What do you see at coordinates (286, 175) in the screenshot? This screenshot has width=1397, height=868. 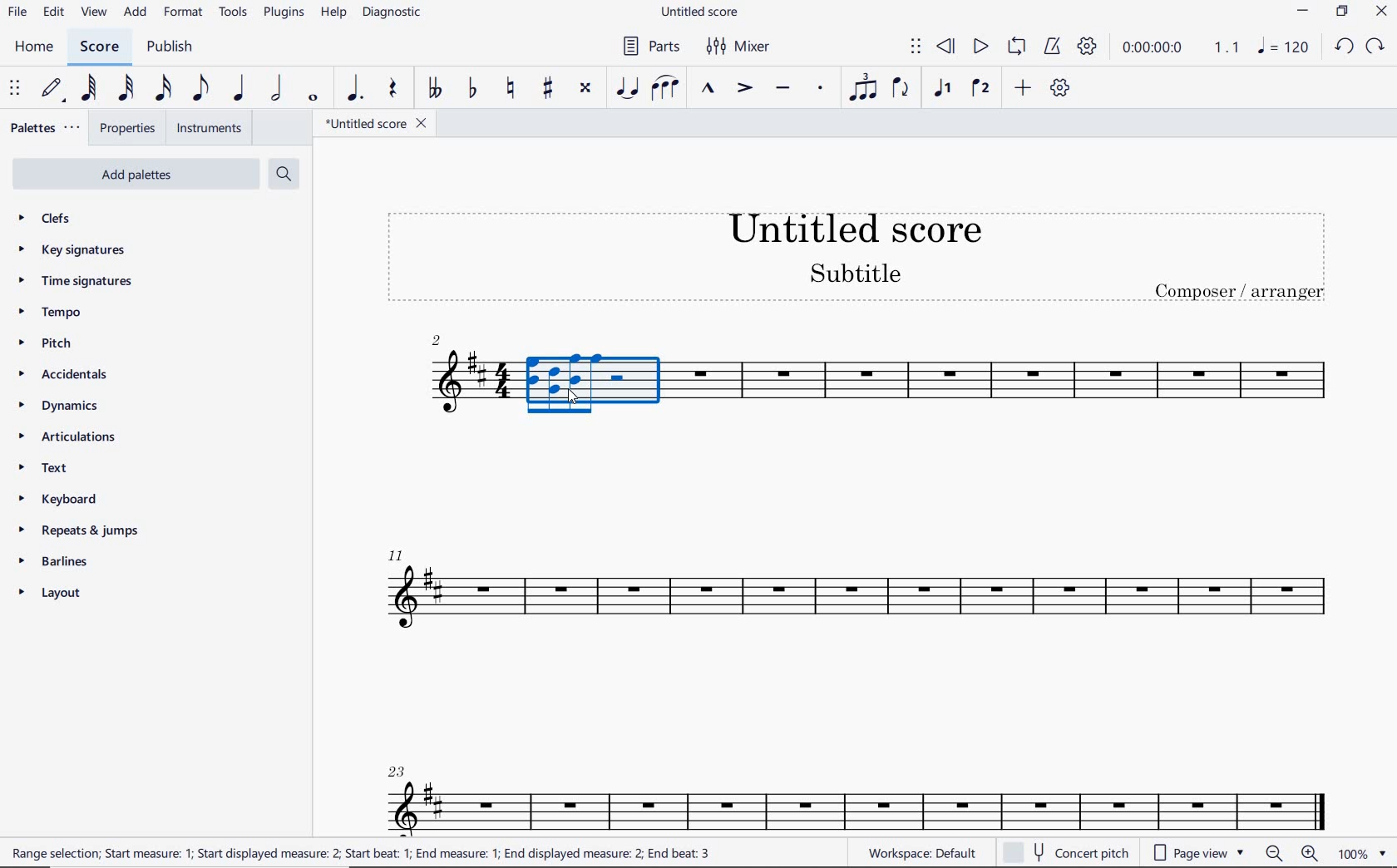 I see `SEARCH PALETTES` at bounding box center [286, 175].